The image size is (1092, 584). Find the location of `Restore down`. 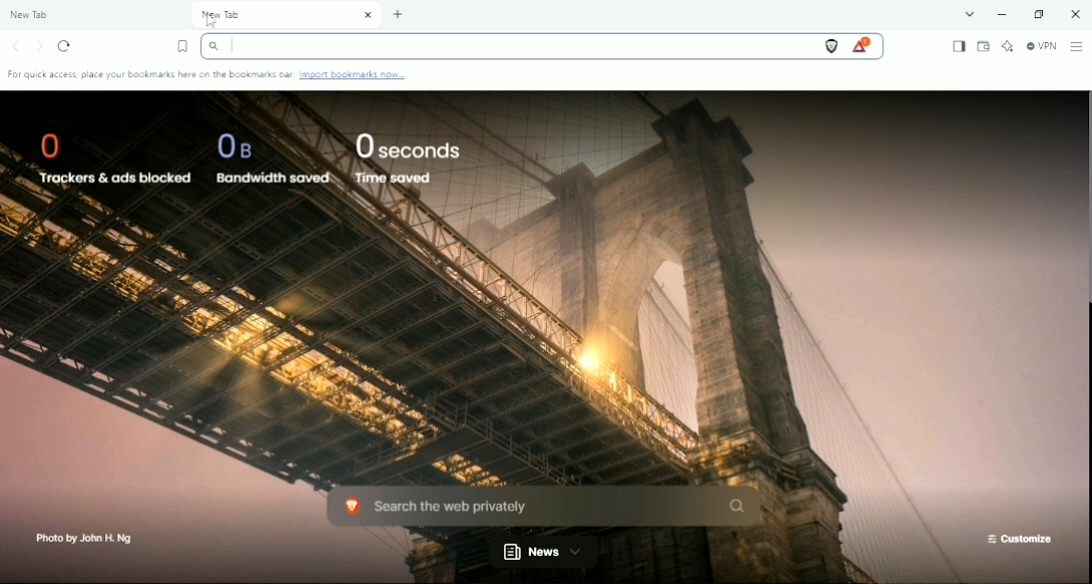

Restore down is located at coordinates (1038, 14).